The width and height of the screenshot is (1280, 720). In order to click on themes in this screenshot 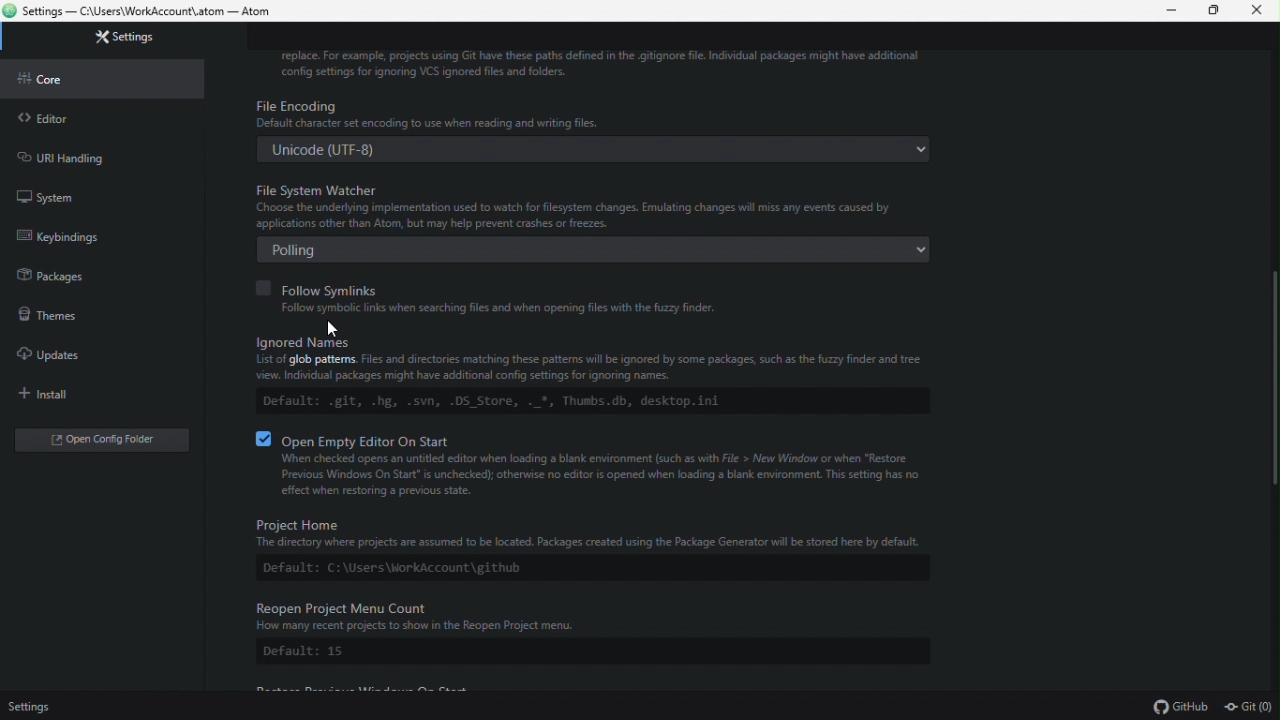, I will do `click(89, 318)`.